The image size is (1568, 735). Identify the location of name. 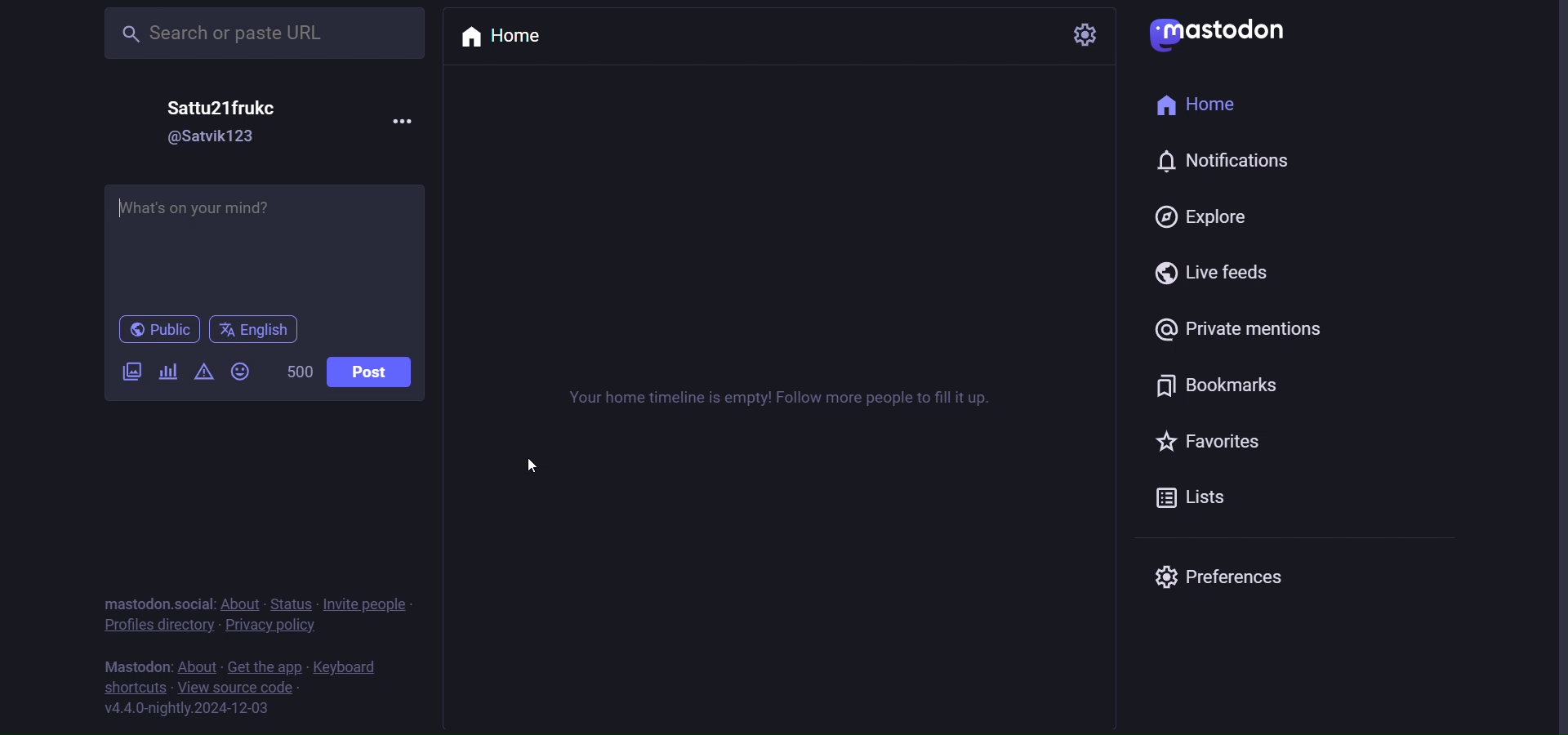
(224, 102).